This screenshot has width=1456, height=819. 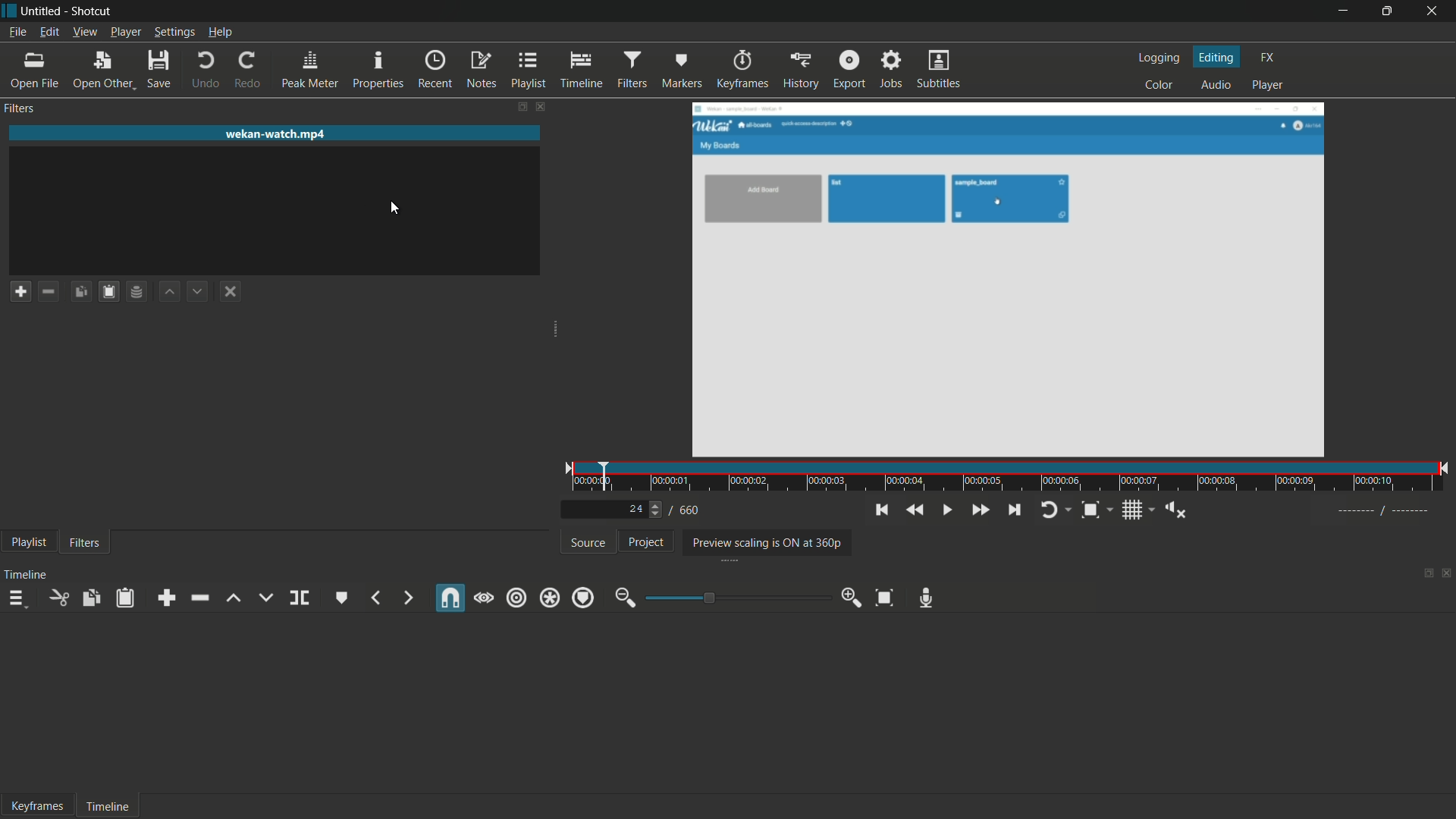 I want to click on save, so click(x=161, y=69).